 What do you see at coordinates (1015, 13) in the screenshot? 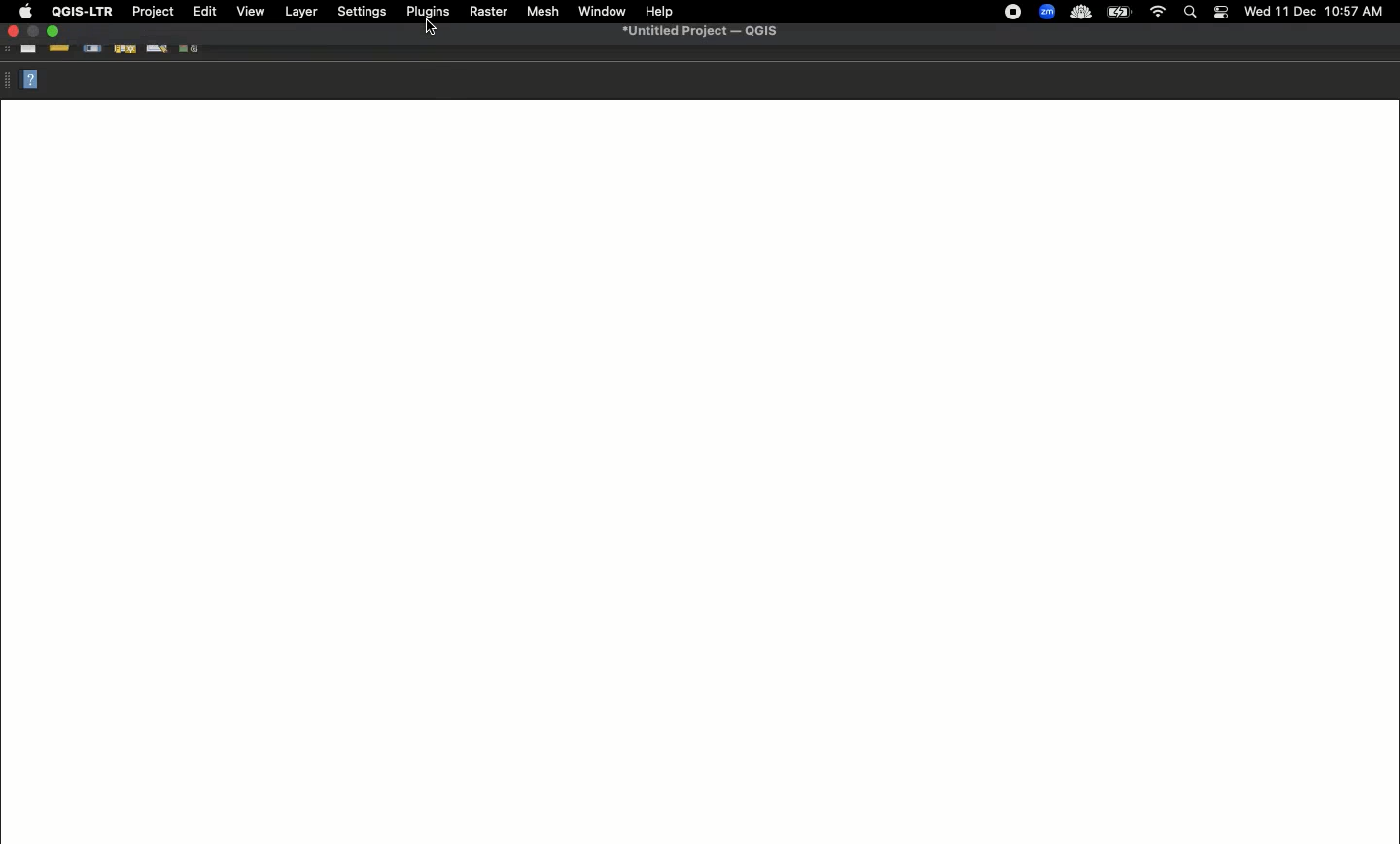
I see `Extension` at bounding box center [1015, 13].